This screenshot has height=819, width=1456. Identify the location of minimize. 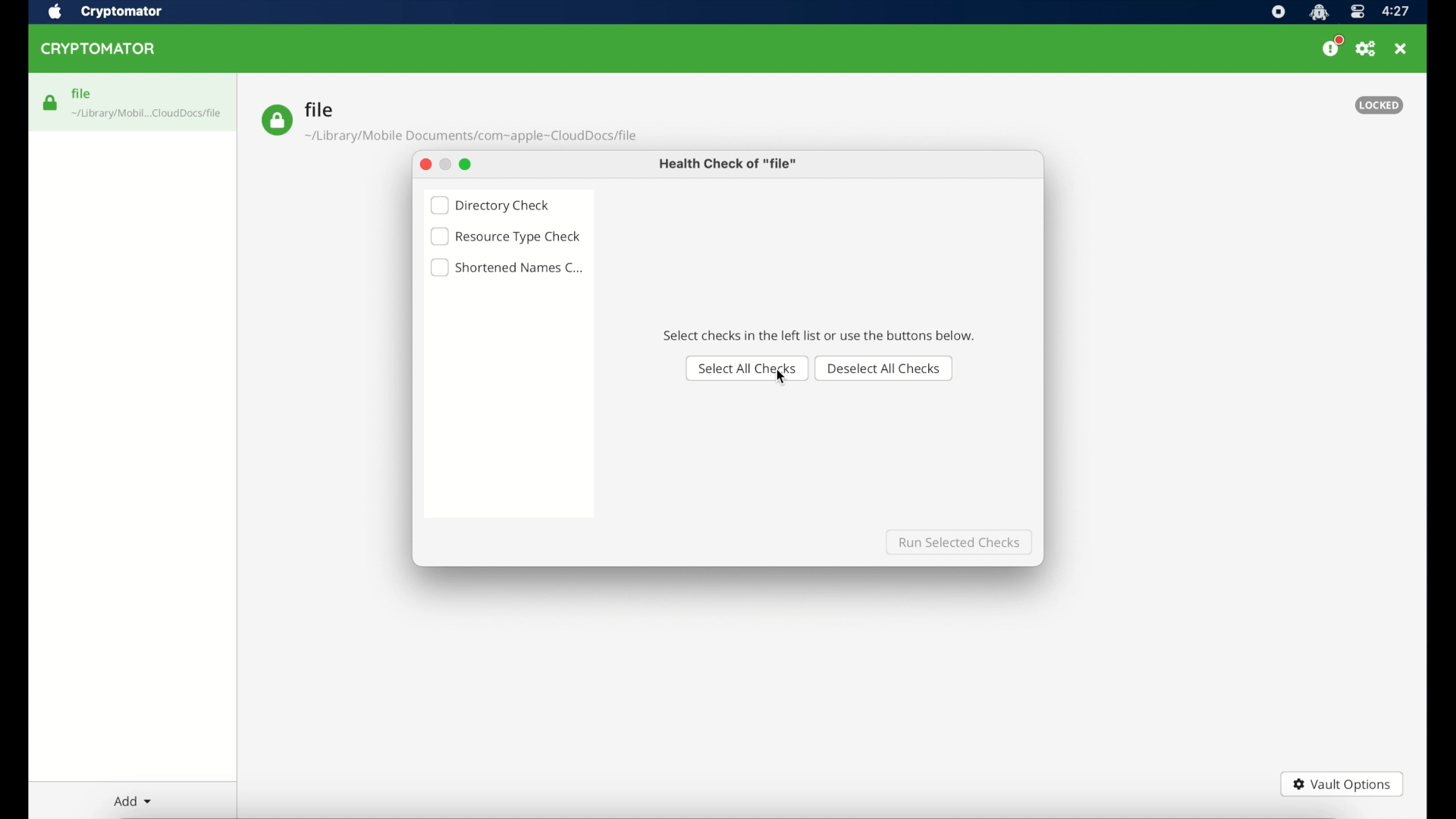
(444, 164).